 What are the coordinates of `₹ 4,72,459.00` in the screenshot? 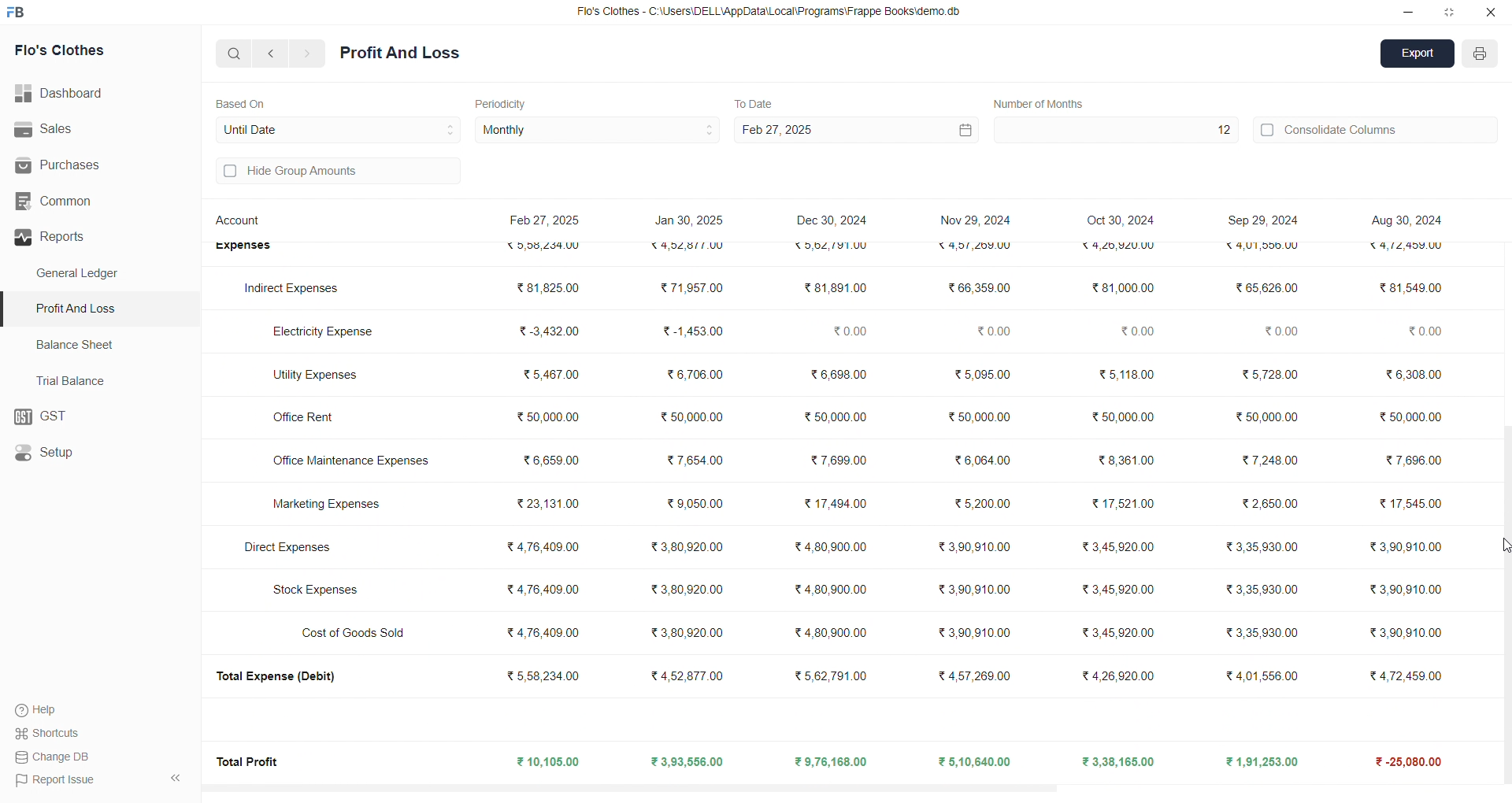 It's located at (1402, 674).